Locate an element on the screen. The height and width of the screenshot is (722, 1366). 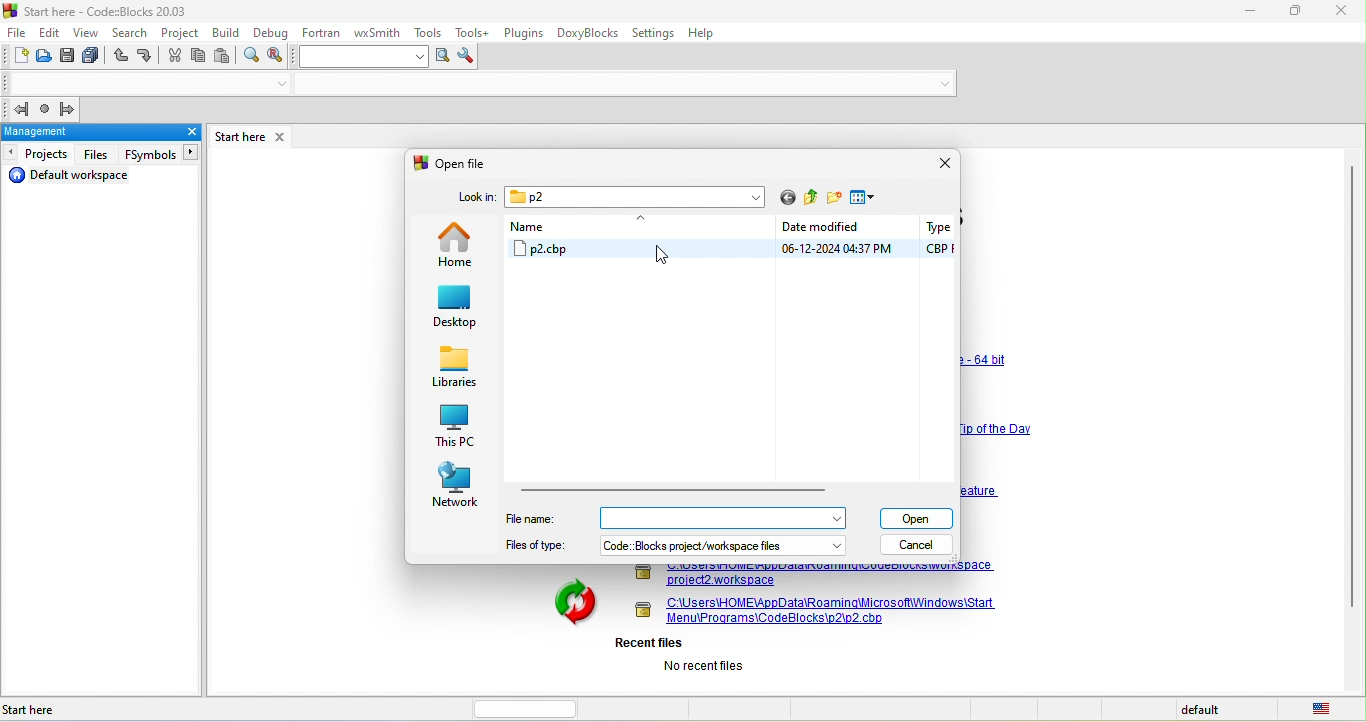
horizontal scroll bar is located at coordinates (518, 709).